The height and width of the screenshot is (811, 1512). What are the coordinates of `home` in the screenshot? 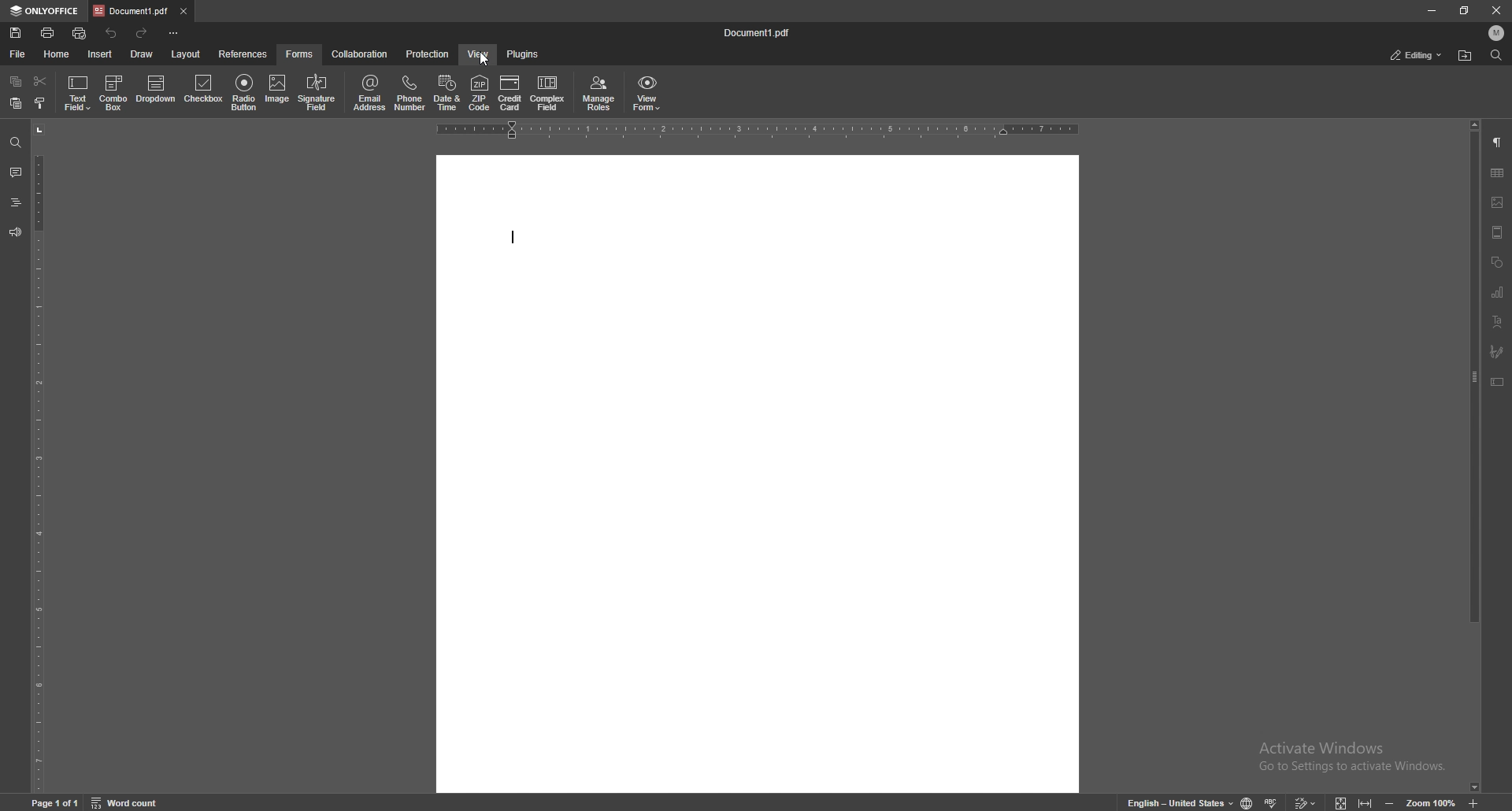 It's located at (57, 55).